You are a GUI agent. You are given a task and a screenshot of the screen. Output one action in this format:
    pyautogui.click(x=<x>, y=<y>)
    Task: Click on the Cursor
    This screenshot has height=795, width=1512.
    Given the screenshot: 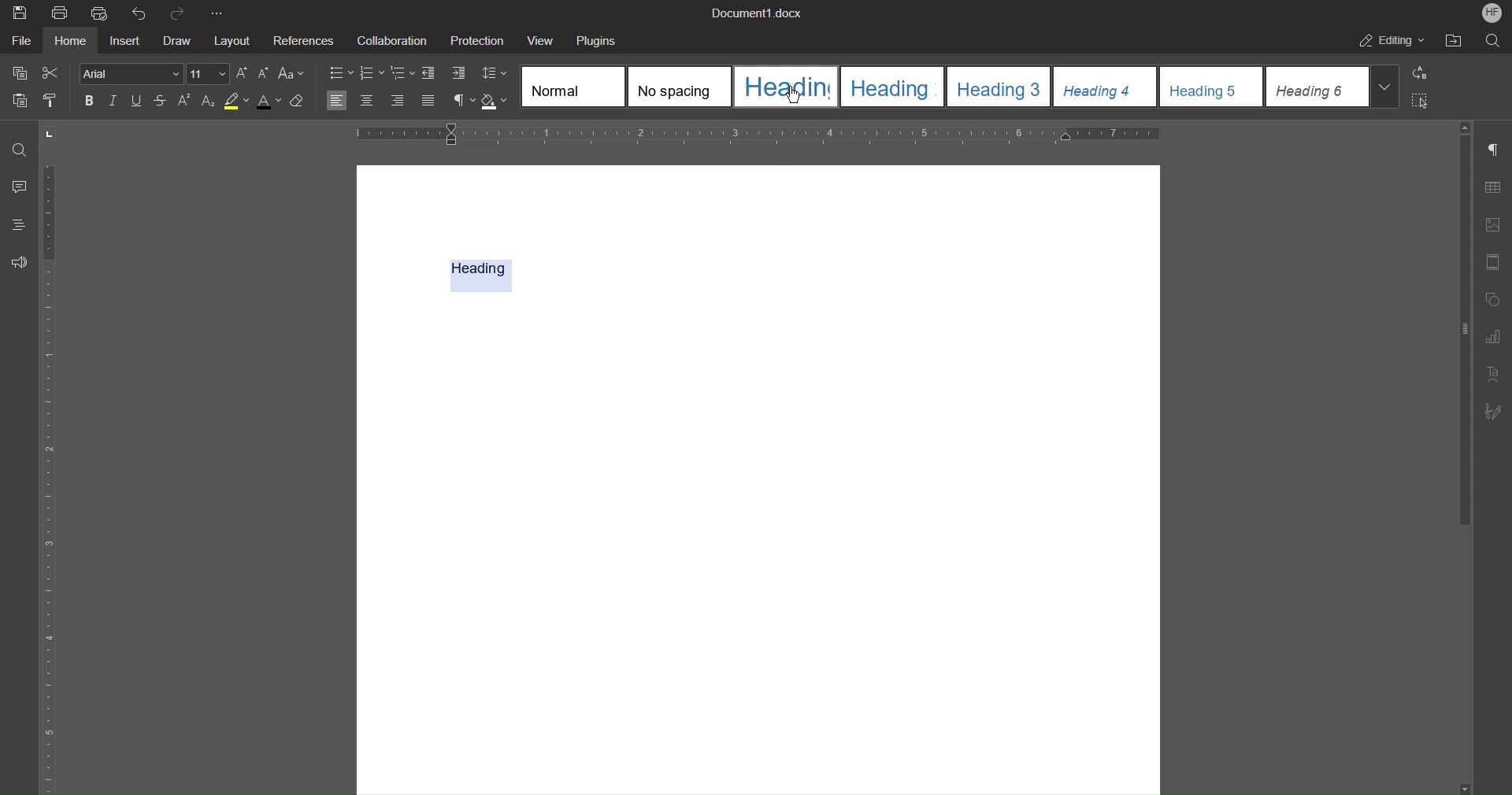 What is the action you would take?
    pyautogui.click(x=792, y=94)
    